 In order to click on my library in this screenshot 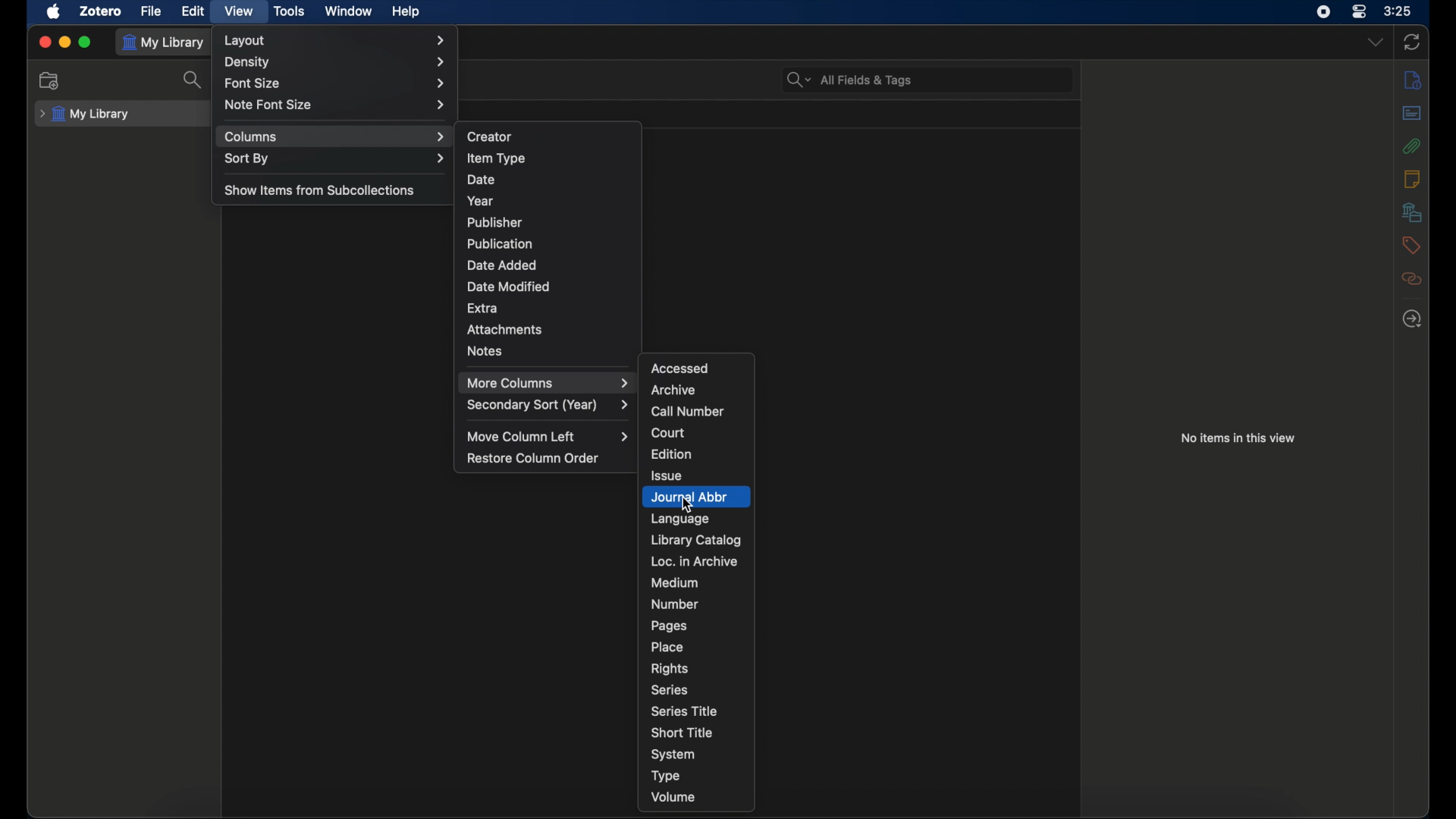, I will do `click(164, 42)`.